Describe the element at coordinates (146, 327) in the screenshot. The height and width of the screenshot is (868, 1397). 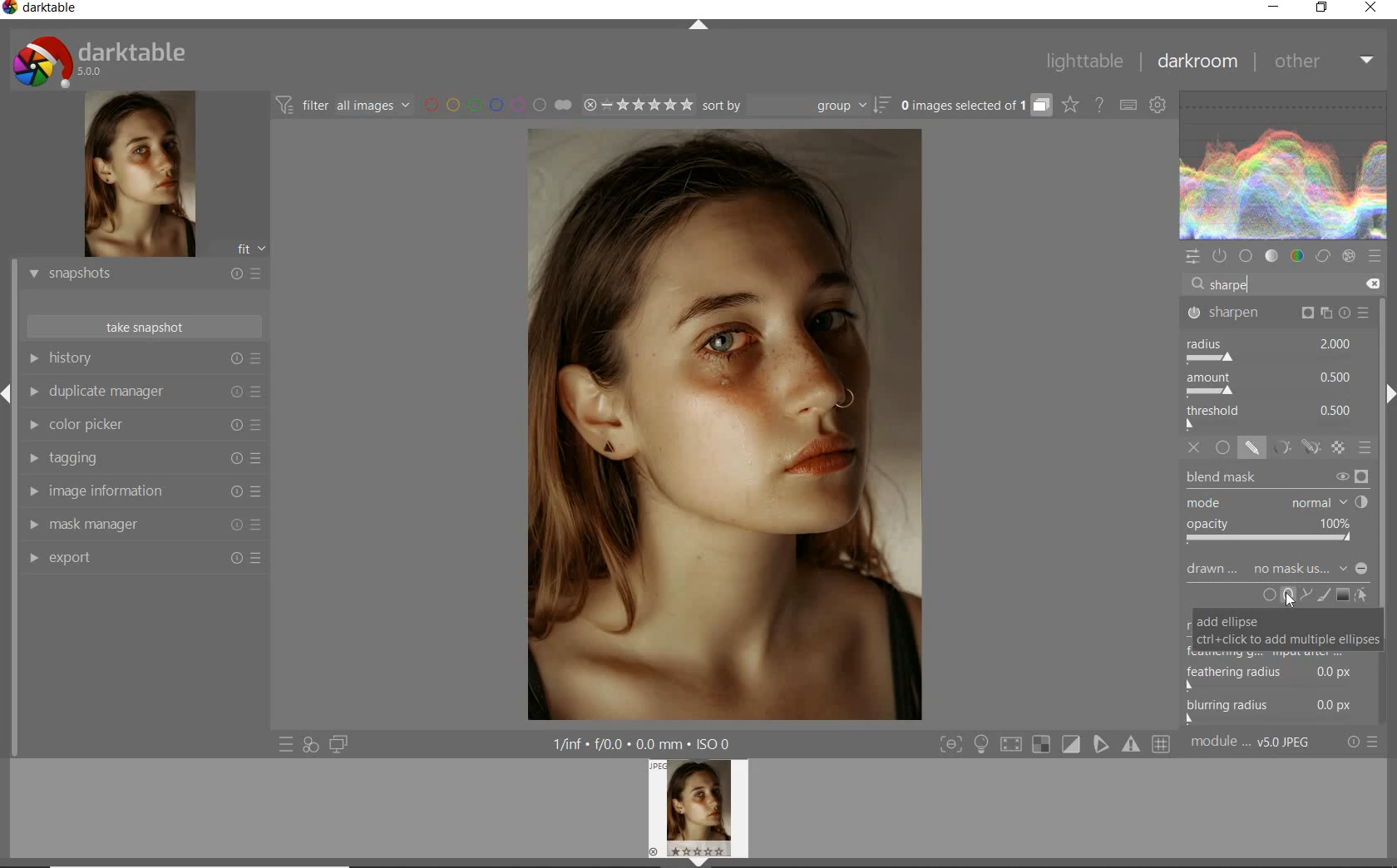
I see `take snapshots` at that location.